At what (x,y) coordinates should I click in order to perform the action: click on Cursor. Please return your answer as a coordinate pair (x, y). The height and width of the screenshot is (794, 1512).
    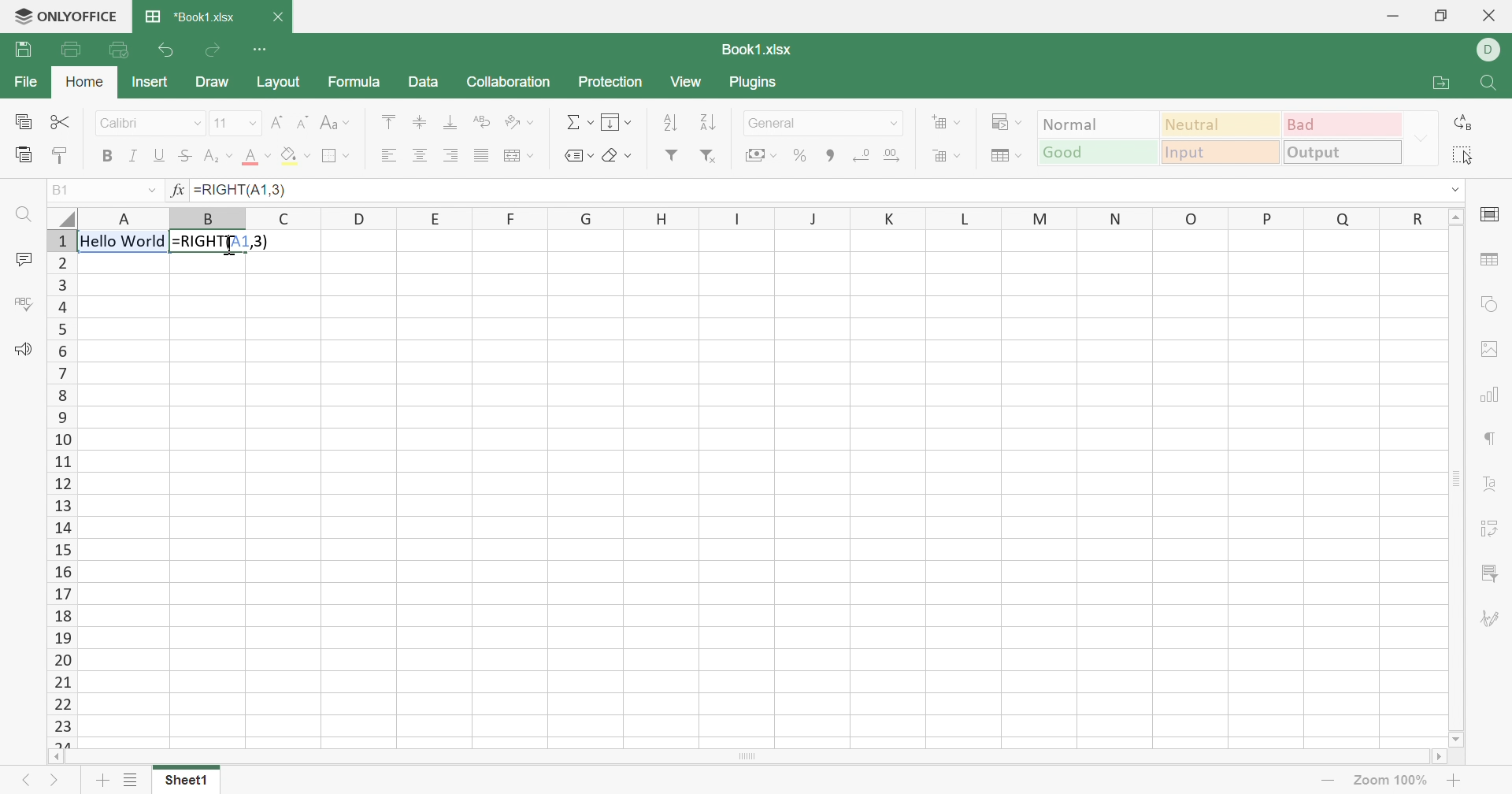
    Looking at the image, I should click on (228, 244).